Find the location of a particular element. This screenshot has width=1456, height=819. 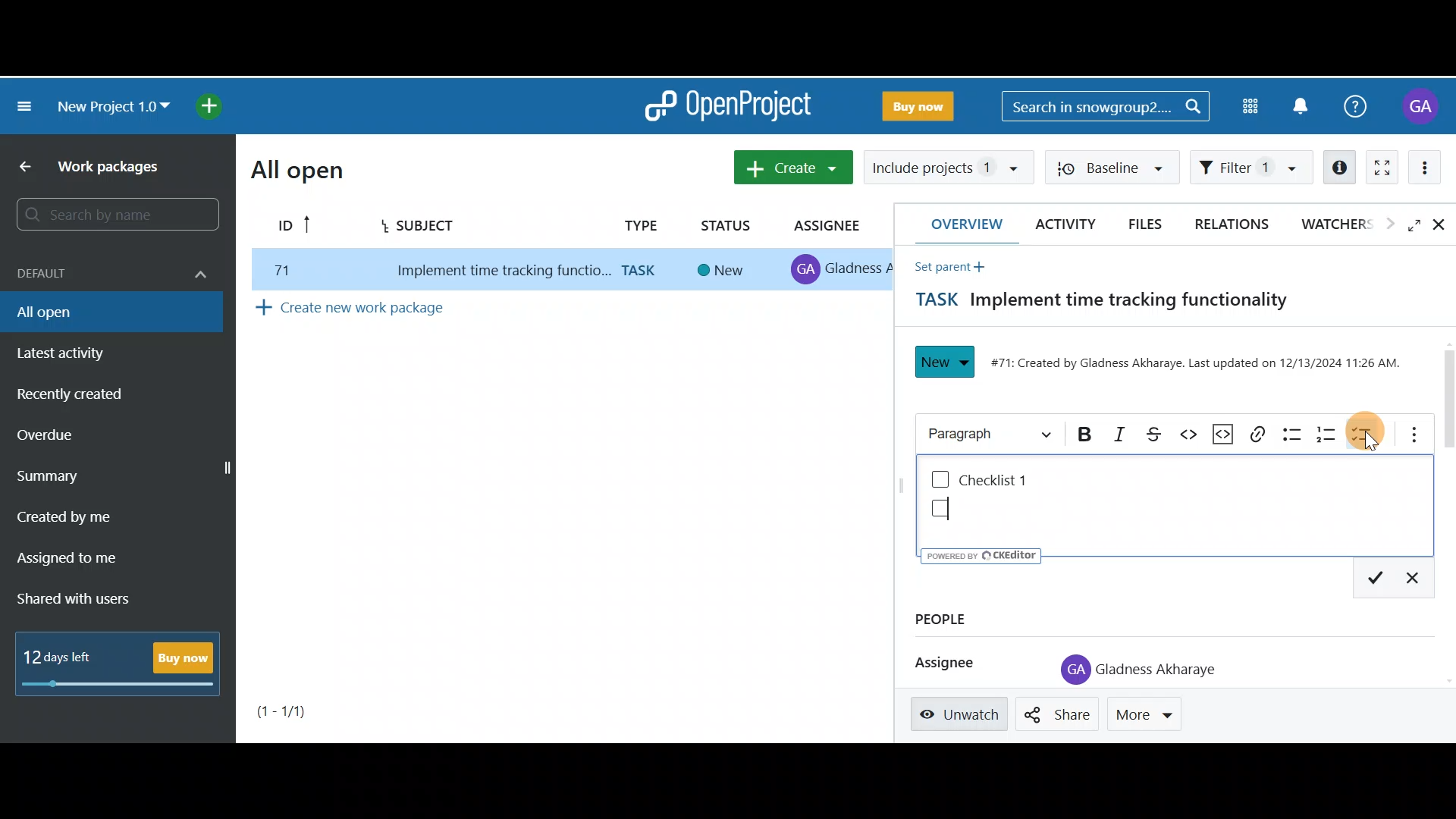

Assignee is located at coordinates (939, 661).